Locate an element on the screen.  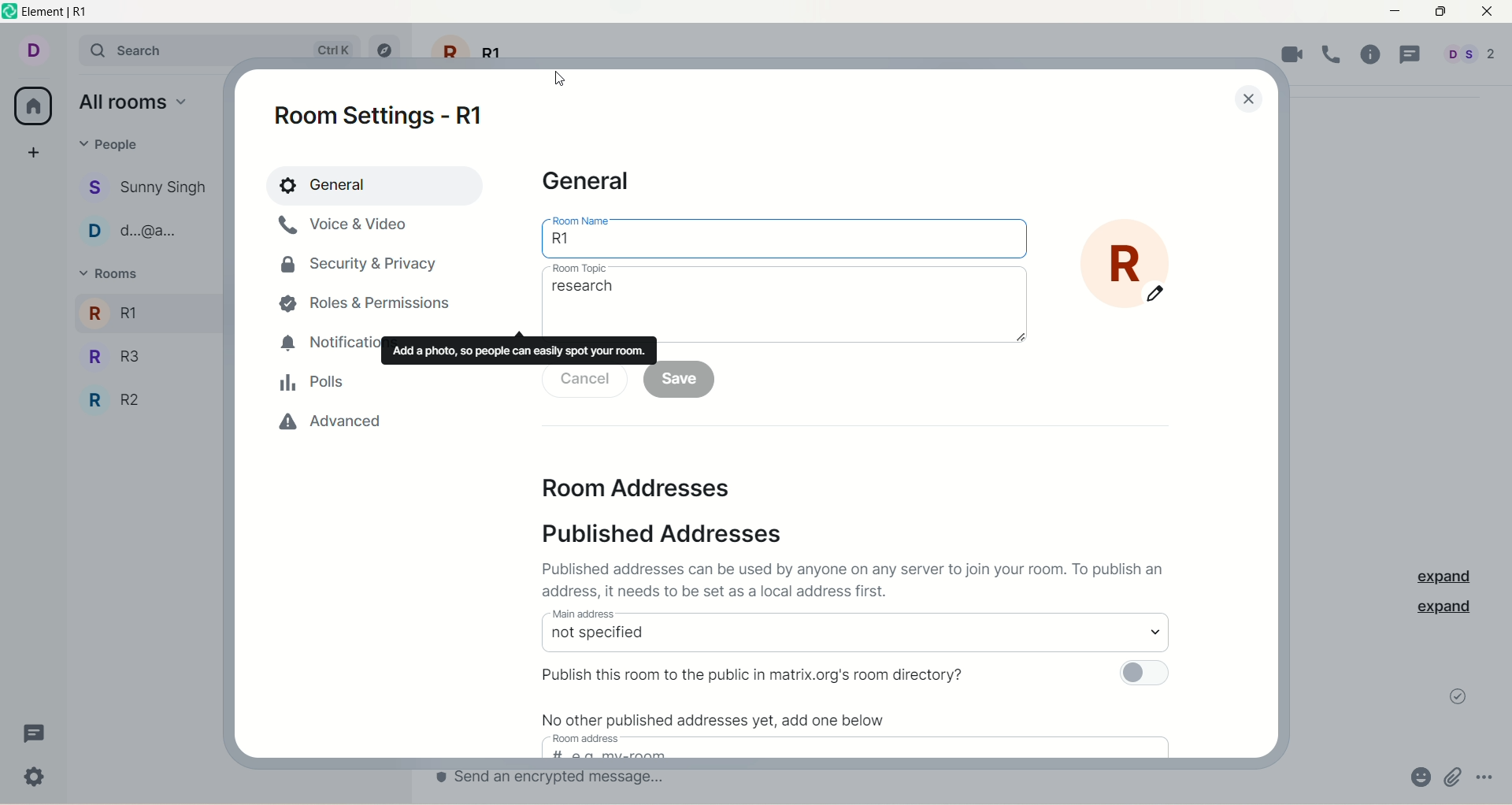
close is located at coordinates (1490, 13).